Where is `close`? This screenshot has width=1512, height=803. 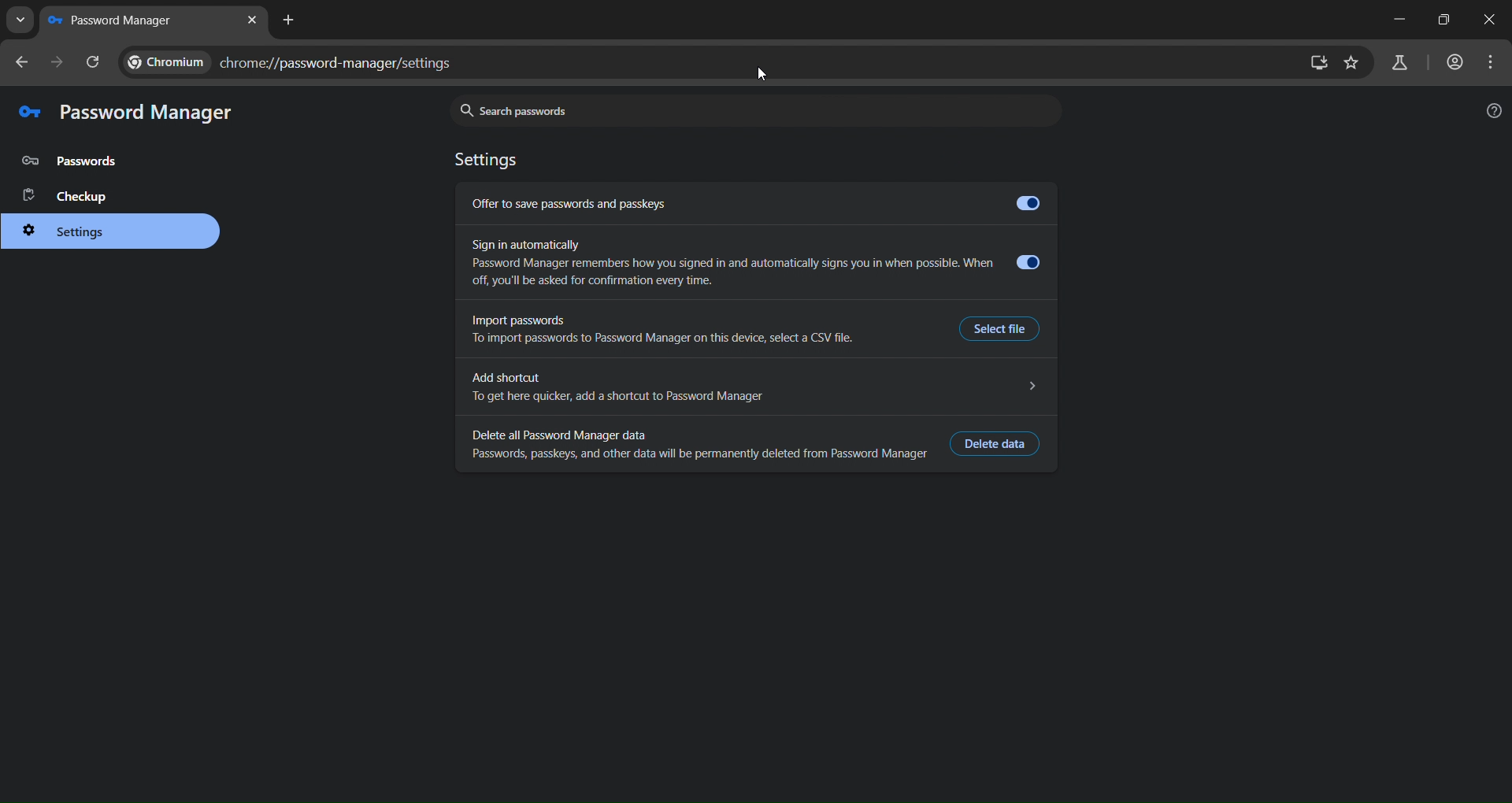
close is located at coordinates (1488, 18).